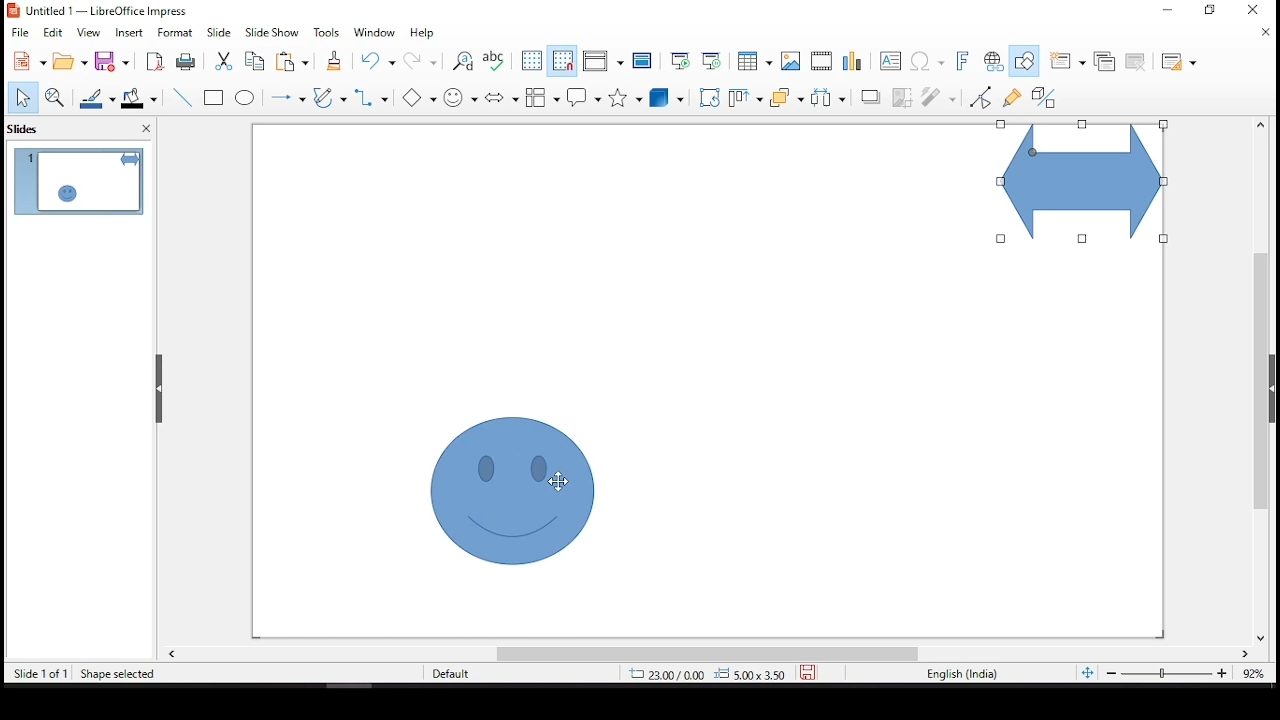  Describe the element at coordinates (563, 61) in the screenshot. I see `snap to grid` at that location.